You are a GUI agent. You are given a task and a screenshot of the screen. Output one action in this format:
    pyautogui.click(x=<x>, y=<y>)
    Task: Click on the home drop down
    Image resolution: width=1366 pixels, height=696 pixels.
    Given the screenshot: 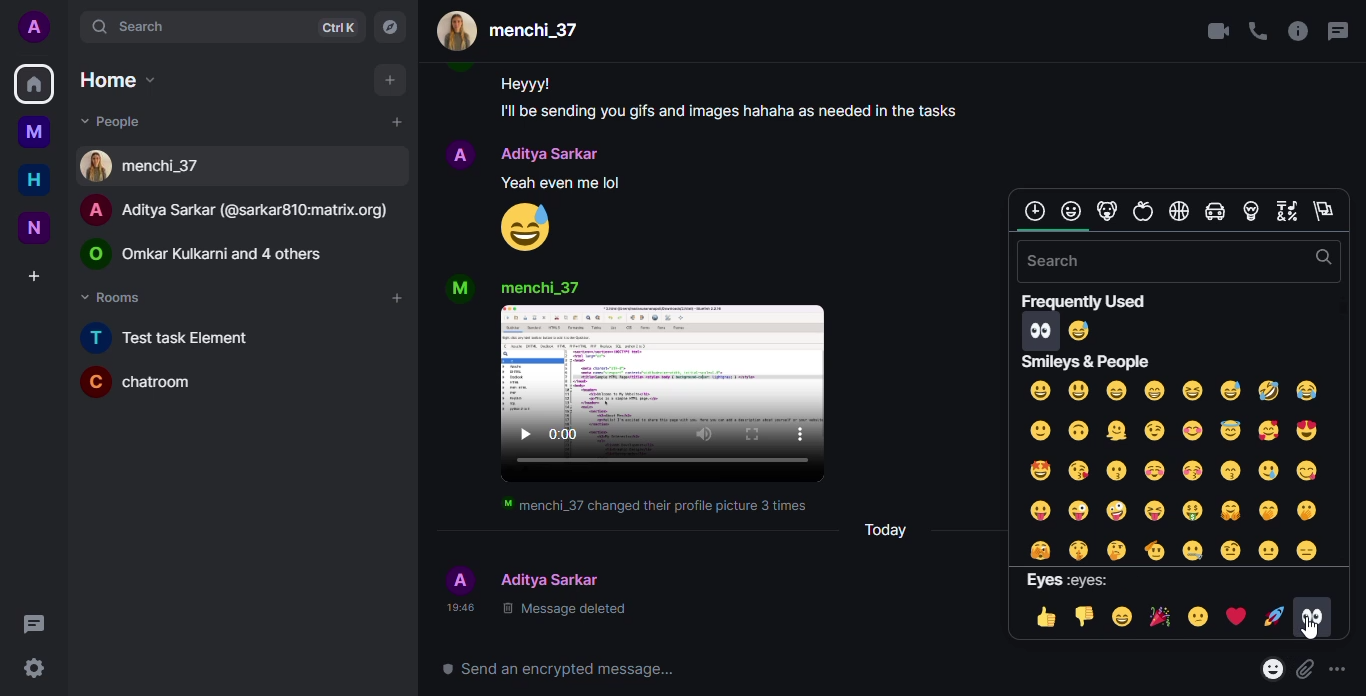 What is the action you would take?
    pyautogui.click(x=112, y=79)
    